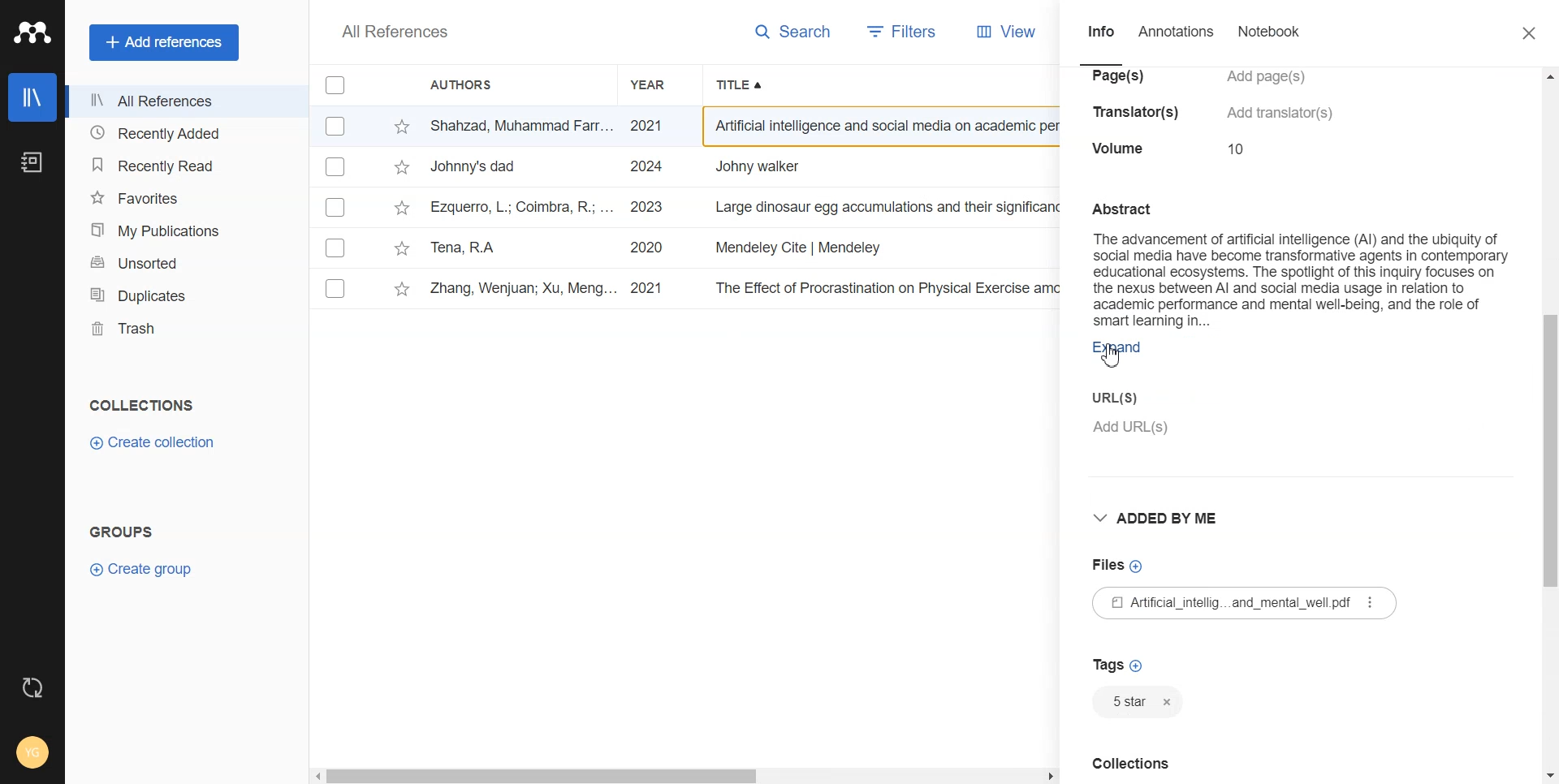 Image resolution: width=1559 pixels, height=784 pixels. What do you see at coordinates (335, 86) in the screenshot?
I see `Checkmarks` at bounding box center [335, 86].